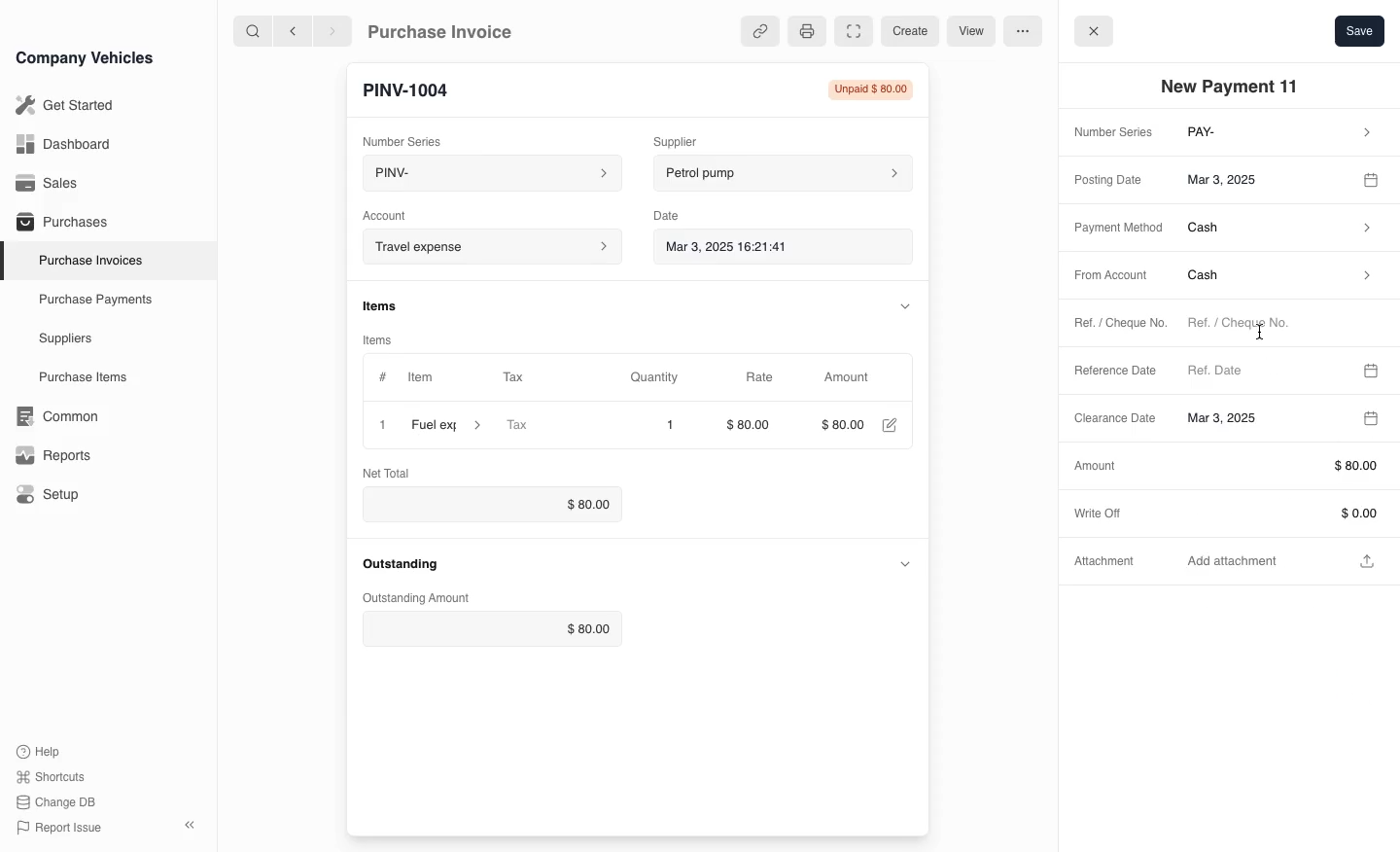  Describe the element at coordinates (757, 377) in the screenshot. I see `Rate` at that location.